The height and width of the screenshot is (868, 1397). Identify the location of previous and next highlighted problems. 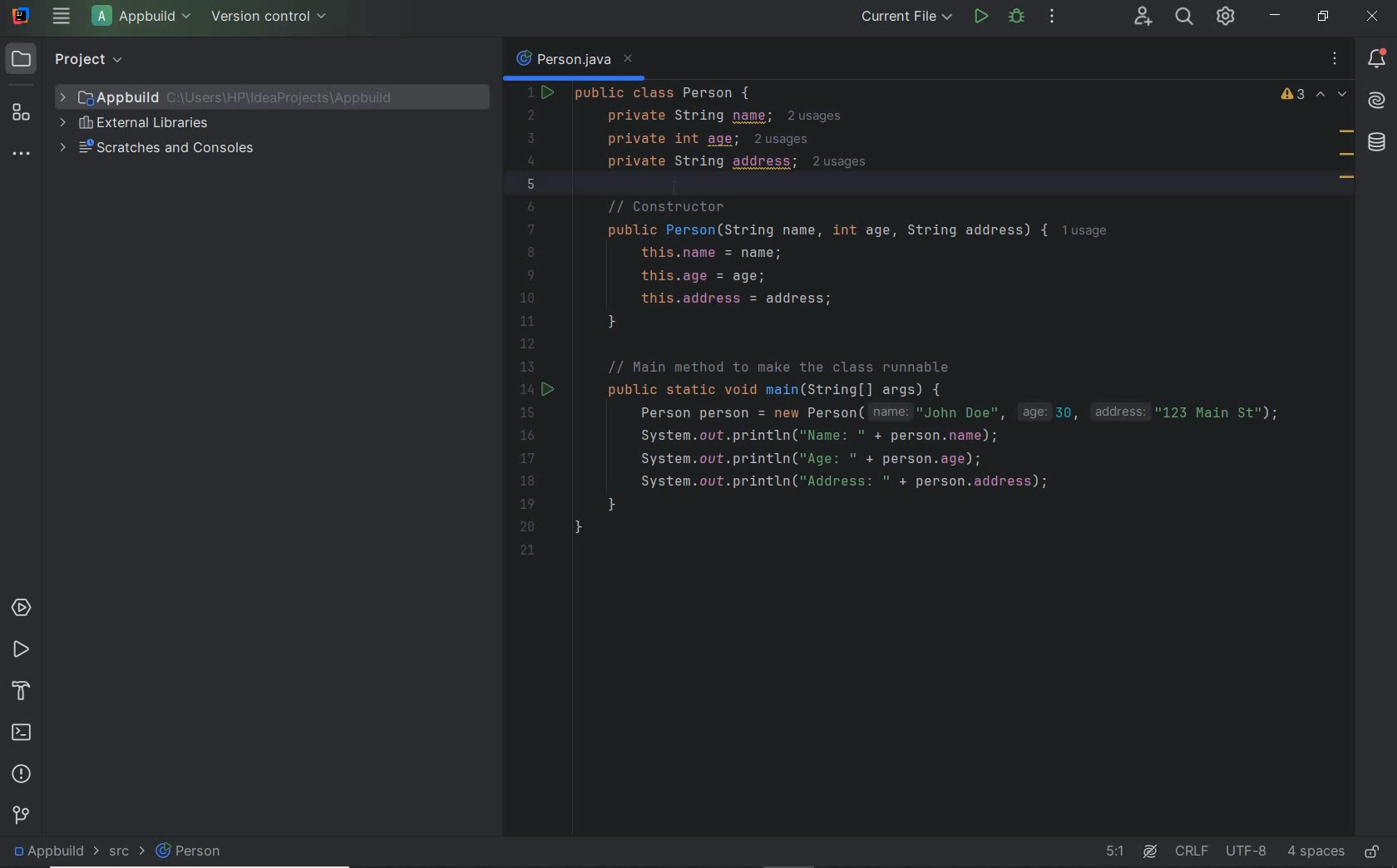
(1332, 96).